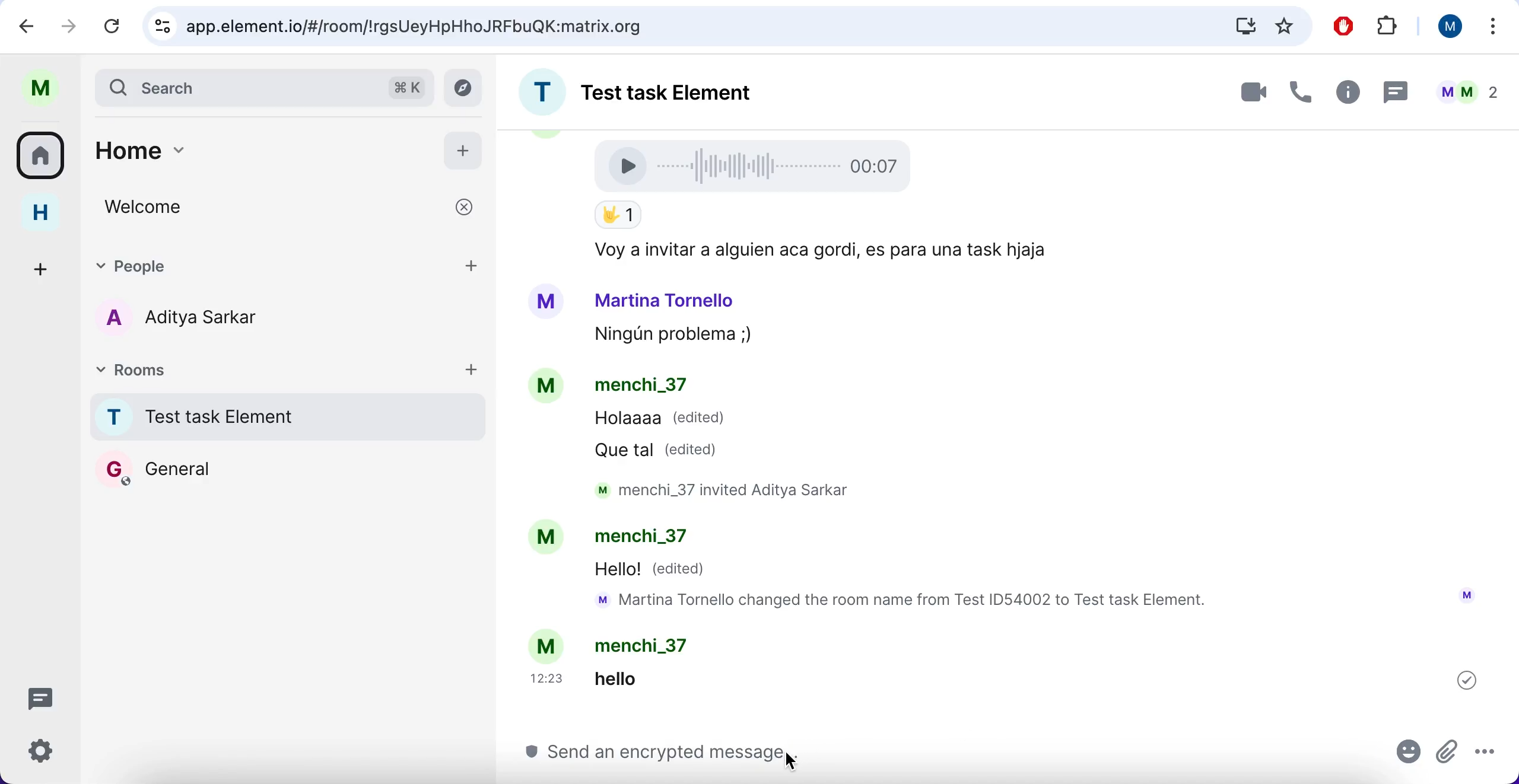 The width and height of the screenshot is (1519, 784). Describe the element at coordinates (647, 645) in the screenshot. I see `menchi_37` at that location.